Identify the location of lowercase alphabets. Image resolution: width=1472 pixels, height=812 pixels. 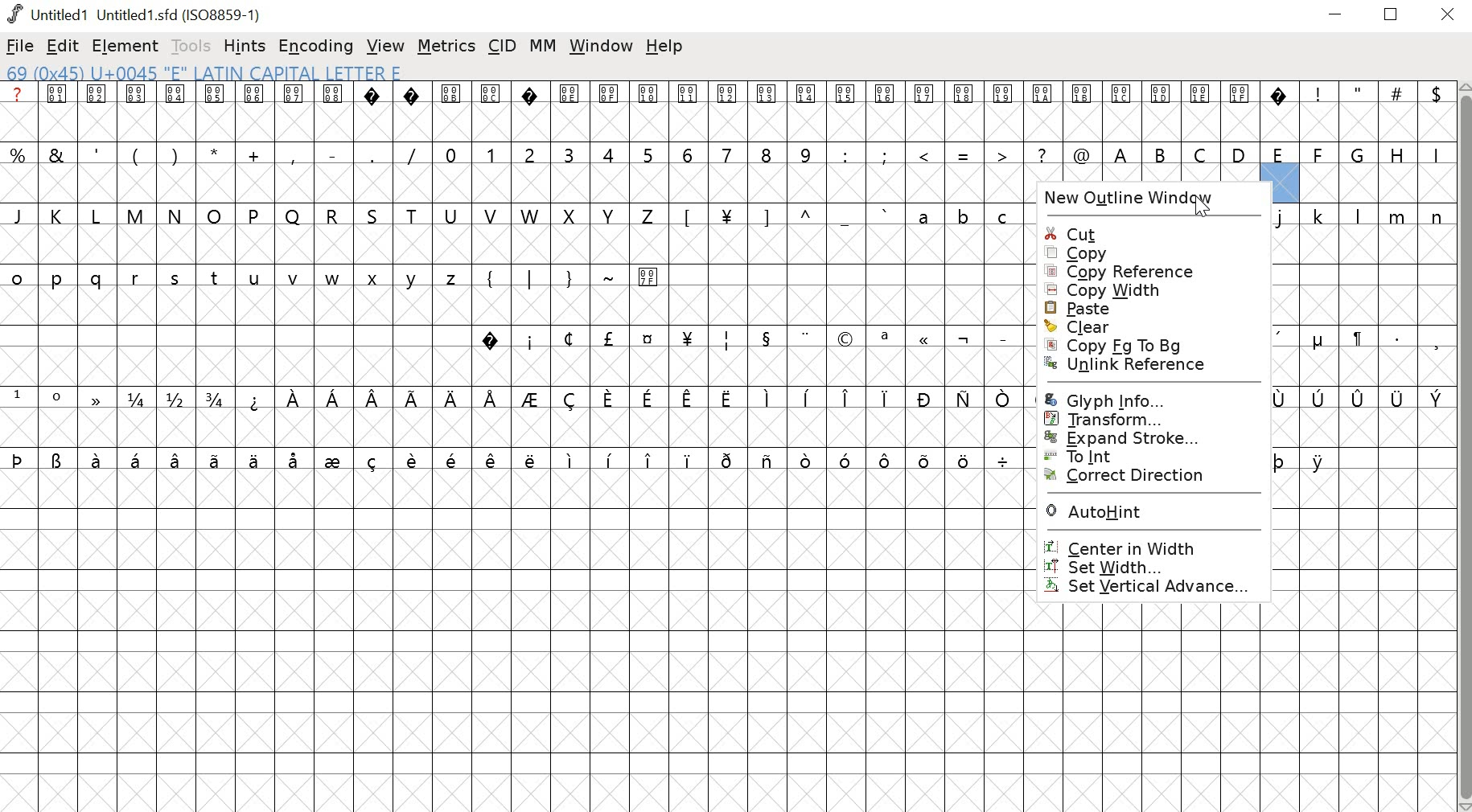
(1359, 218).